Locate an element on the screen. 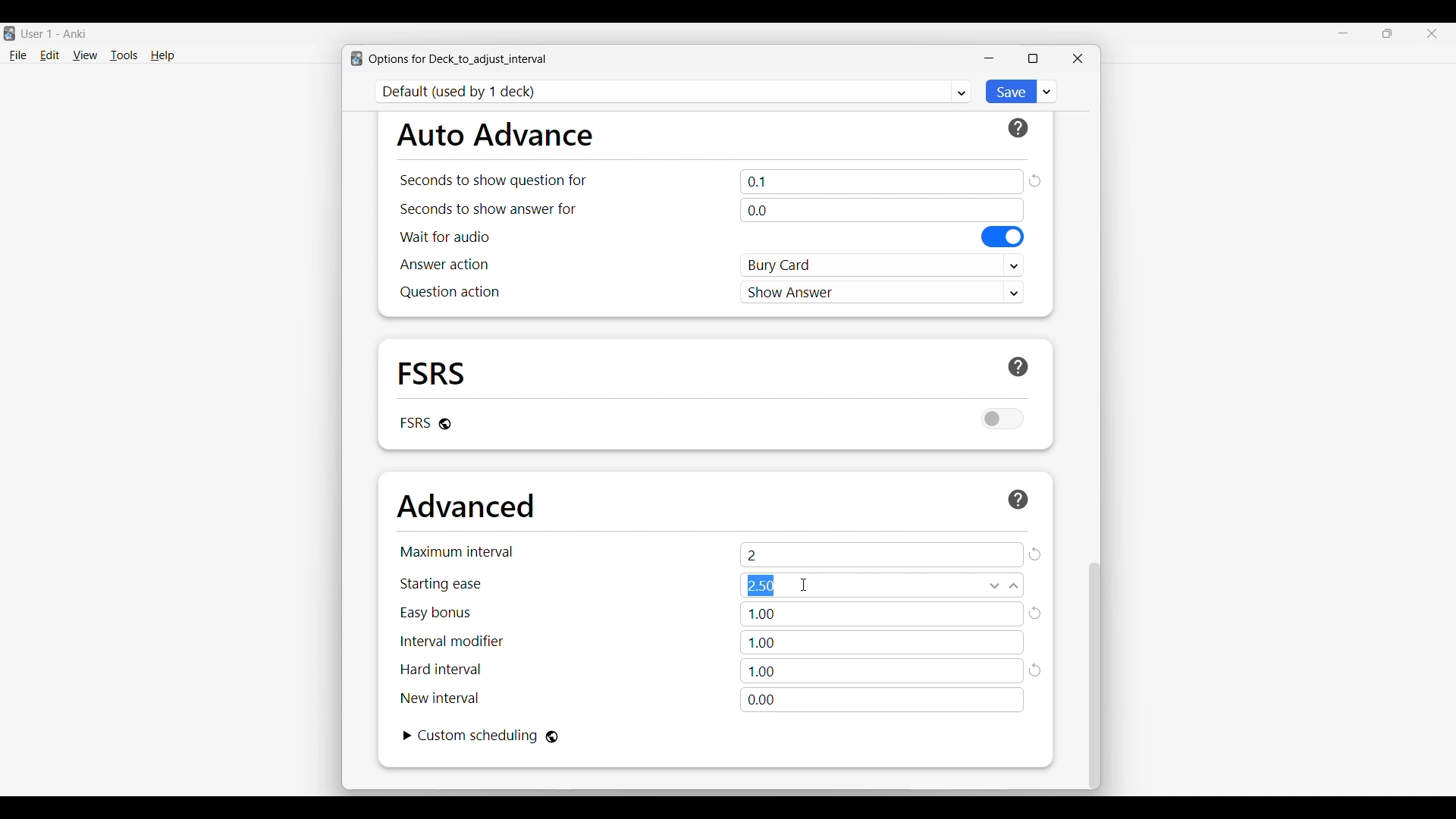  Indicates custom scheduling is located at coordinates (479, 736).